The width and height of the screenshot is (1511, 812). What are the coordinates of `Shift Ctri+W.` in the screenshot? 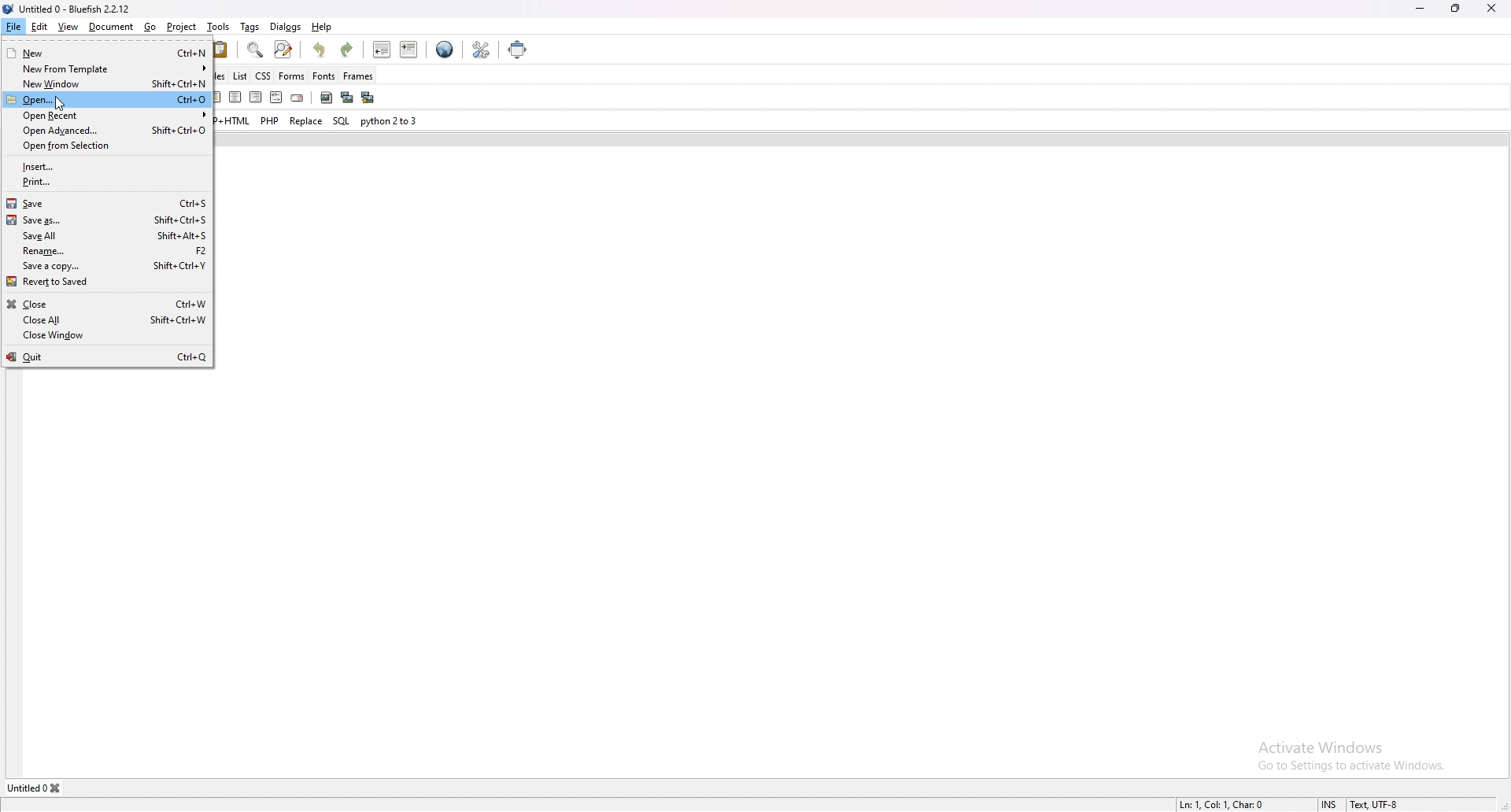 It's located at (179, 320).